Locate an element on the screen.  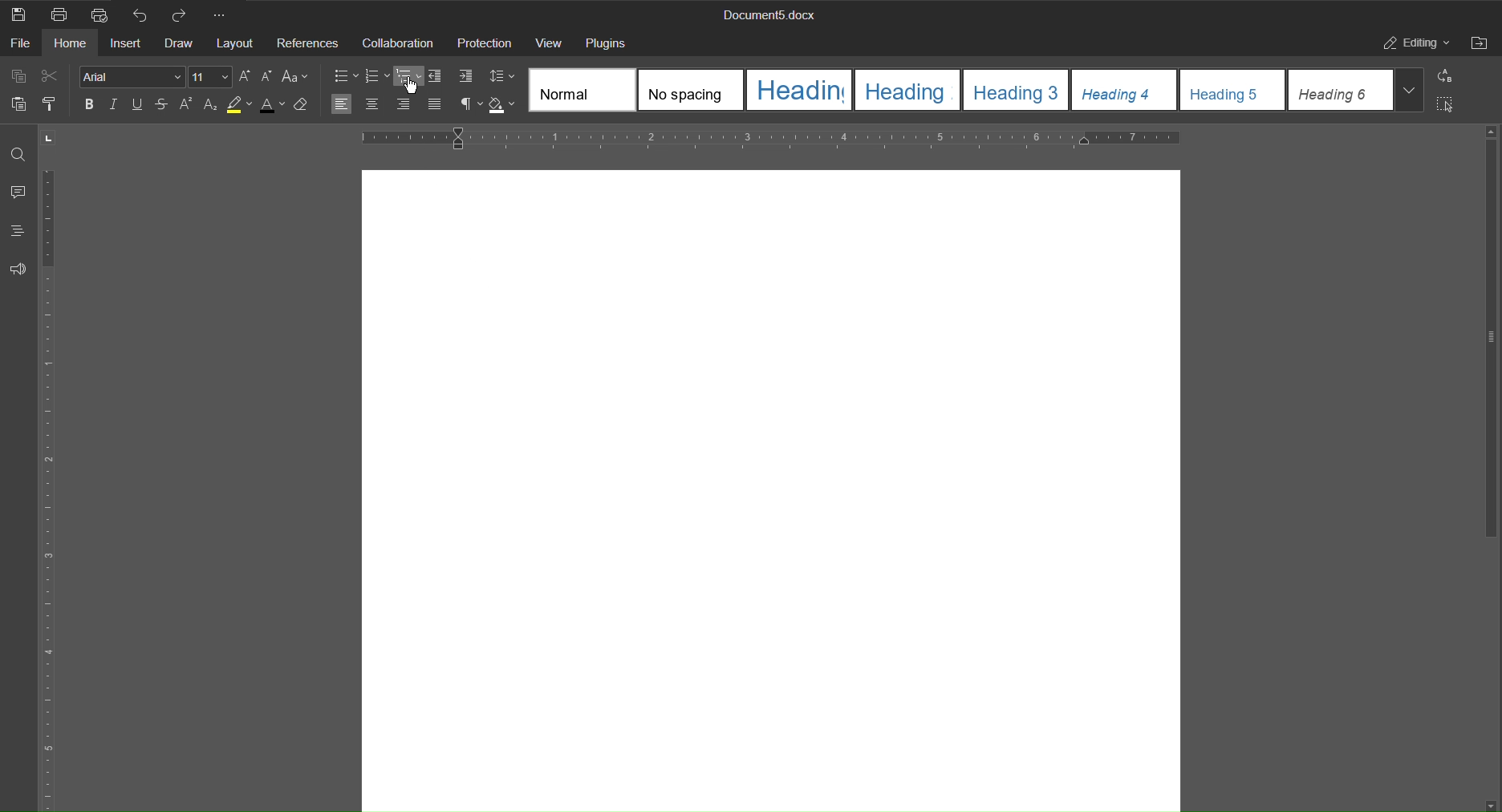
Select case is located at coordinates (298, 76).